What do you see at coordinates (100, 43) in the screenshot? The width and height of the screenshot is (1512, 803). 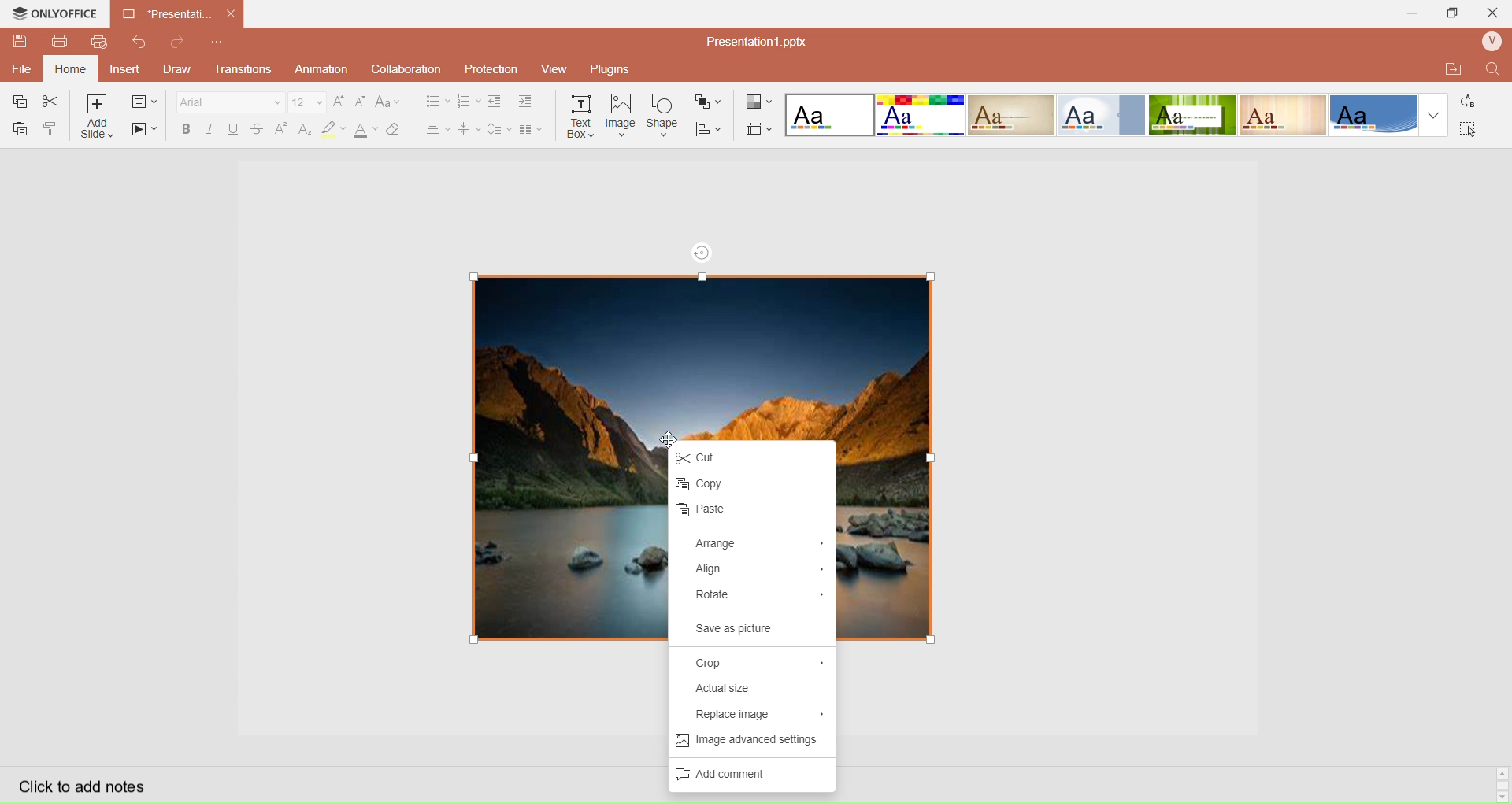 I see `QuickPrint` at bounding box center [100, 43].